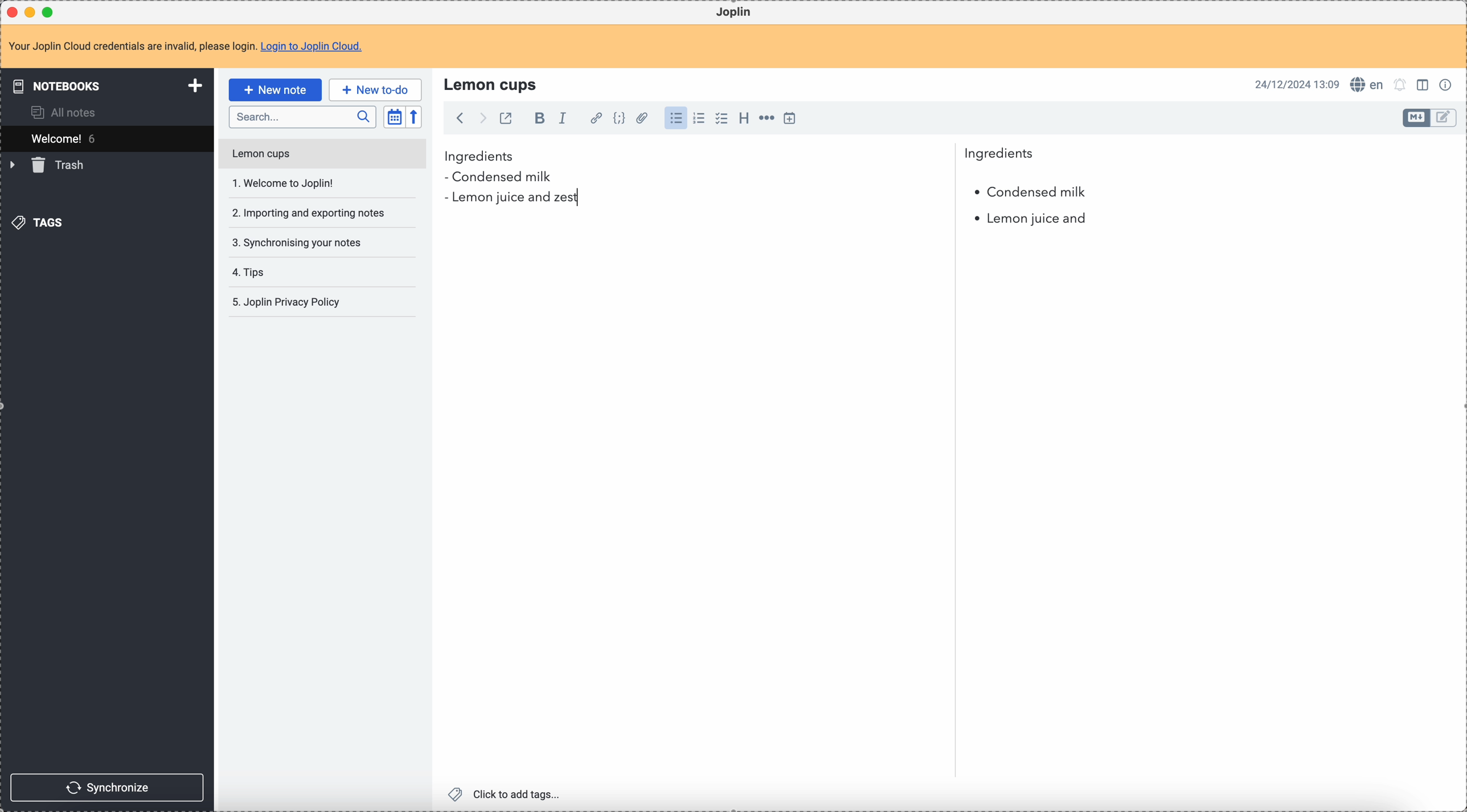 The image size is (1467, 812). I want to click on lemon cups, so click(493, 84).